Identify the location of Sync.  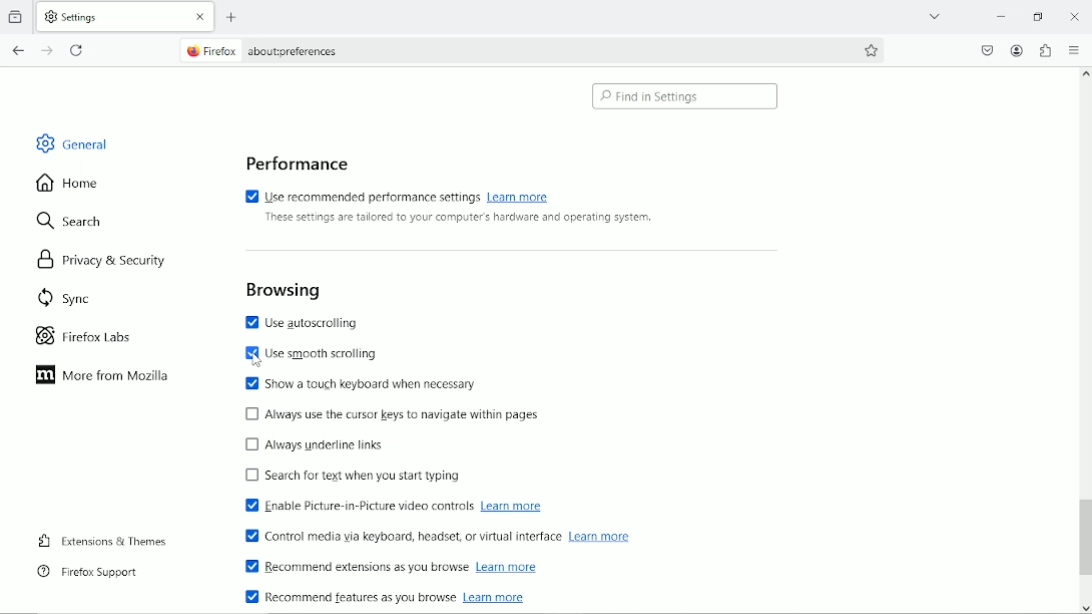
(59, 297).